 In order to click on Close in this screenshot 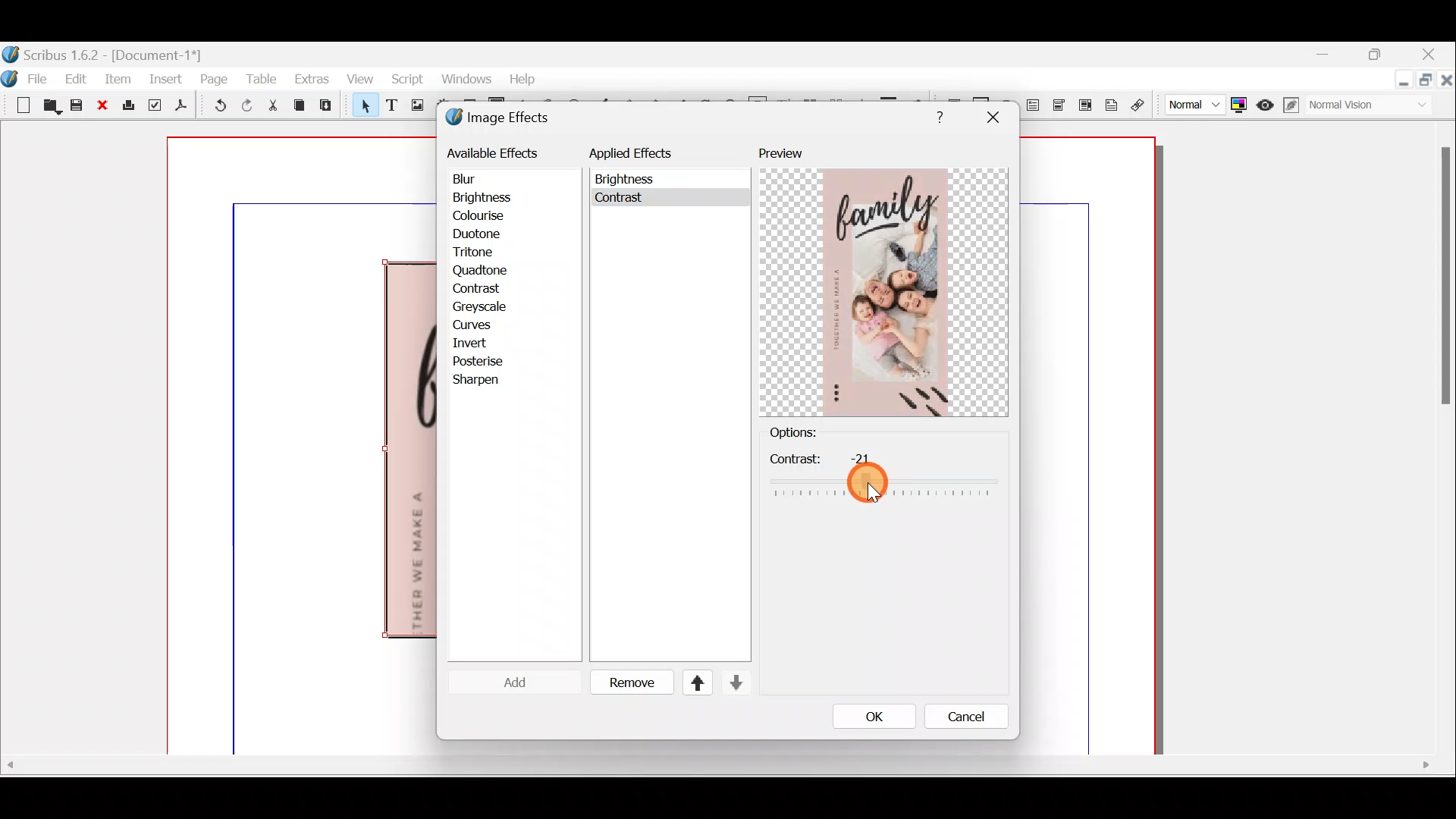, I will do `click(1430, 56)`.